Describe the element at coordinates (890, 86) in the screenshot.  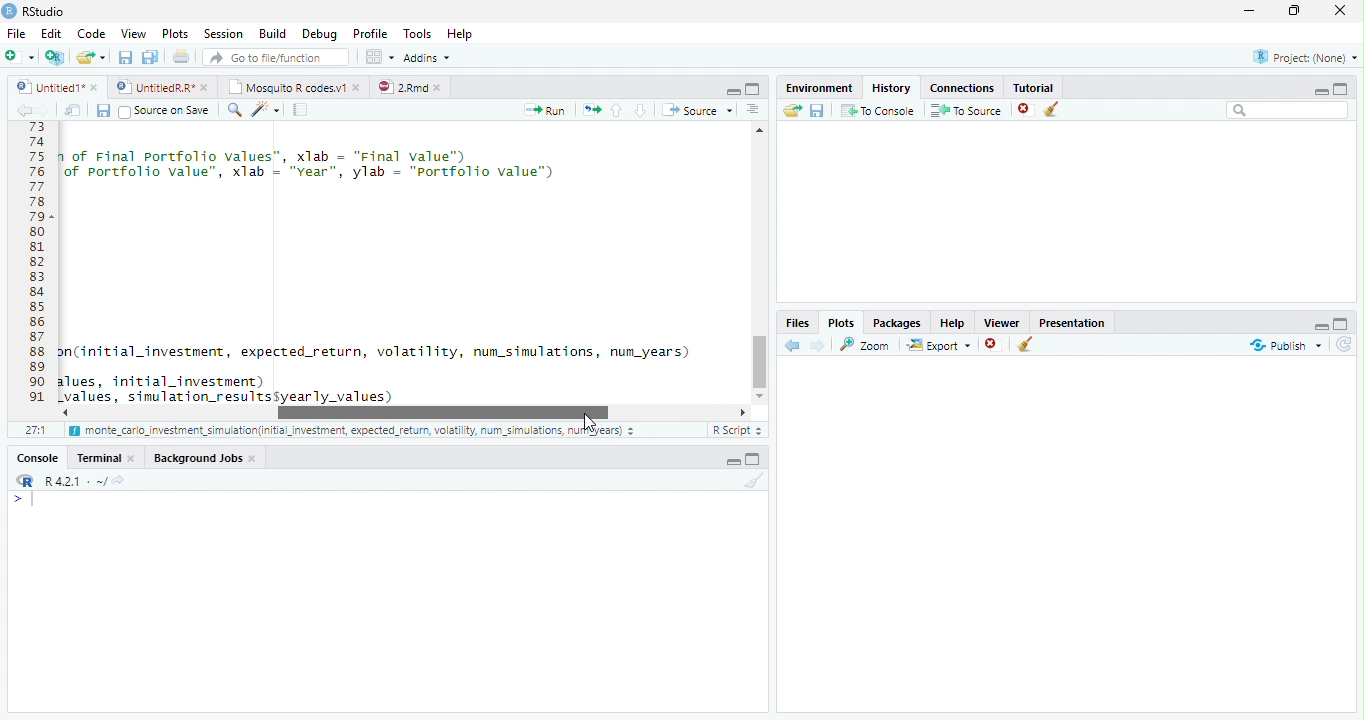
I see `History` at that location.